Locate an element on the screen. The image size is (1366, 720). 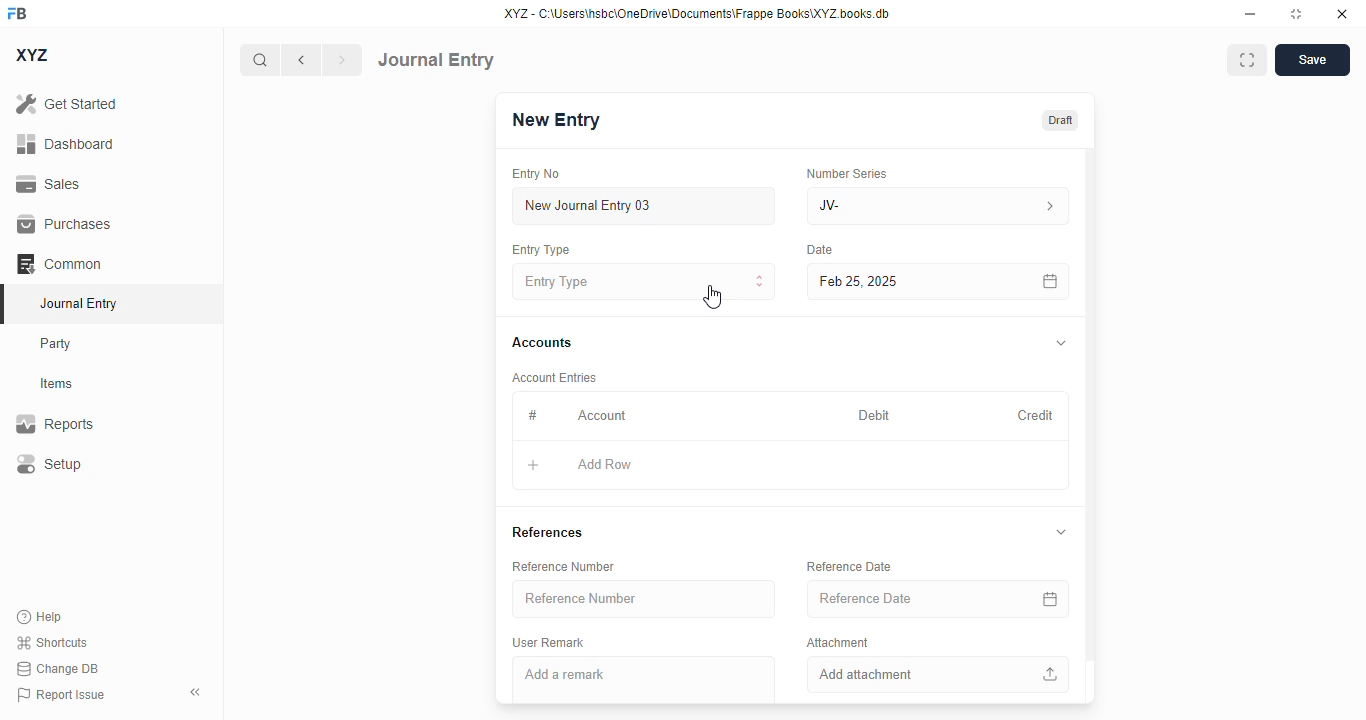
toggle expand/collapse is located at coordinates (1062, 343).